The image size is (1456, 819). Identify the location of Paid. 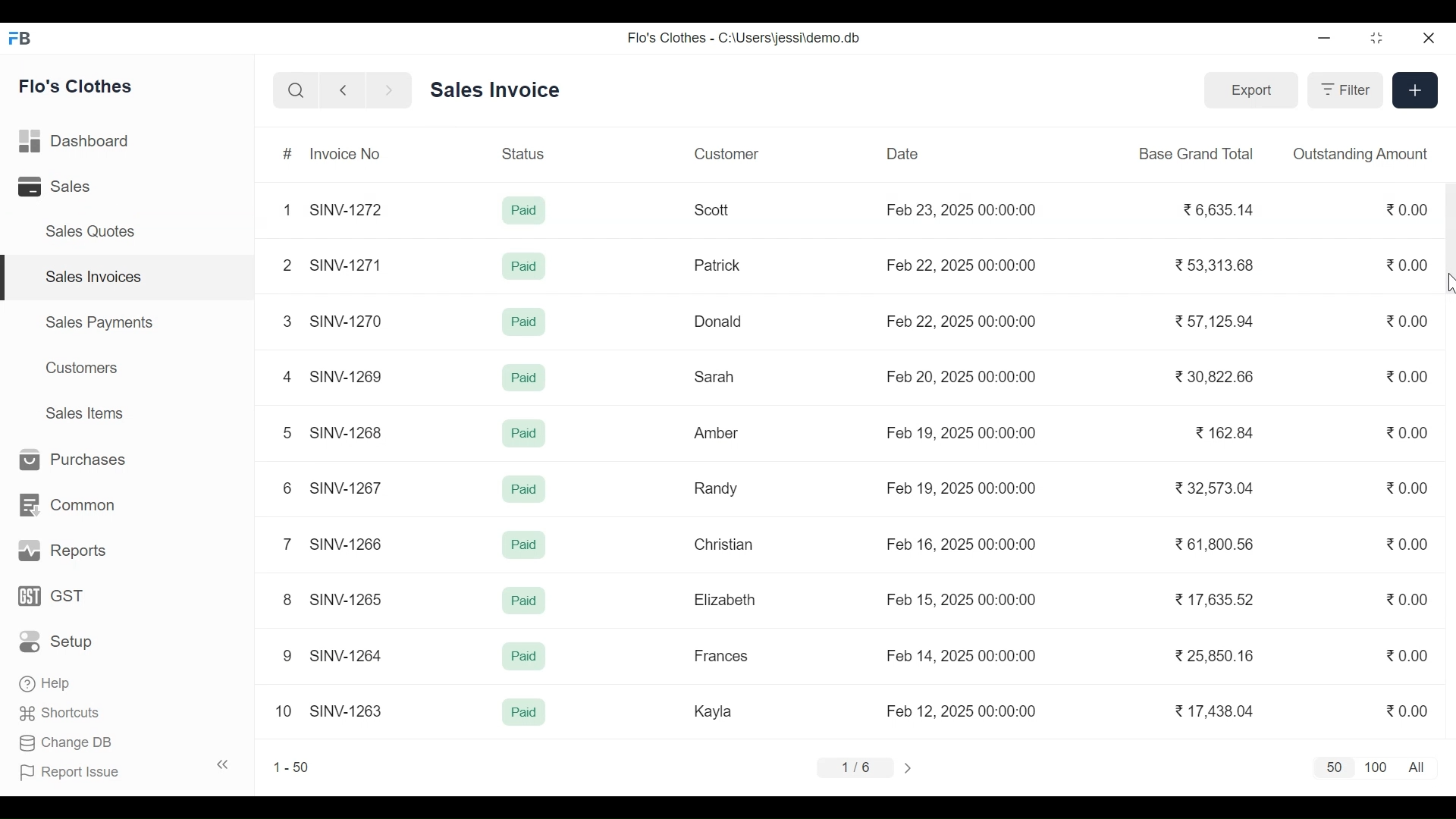
(524, 433).